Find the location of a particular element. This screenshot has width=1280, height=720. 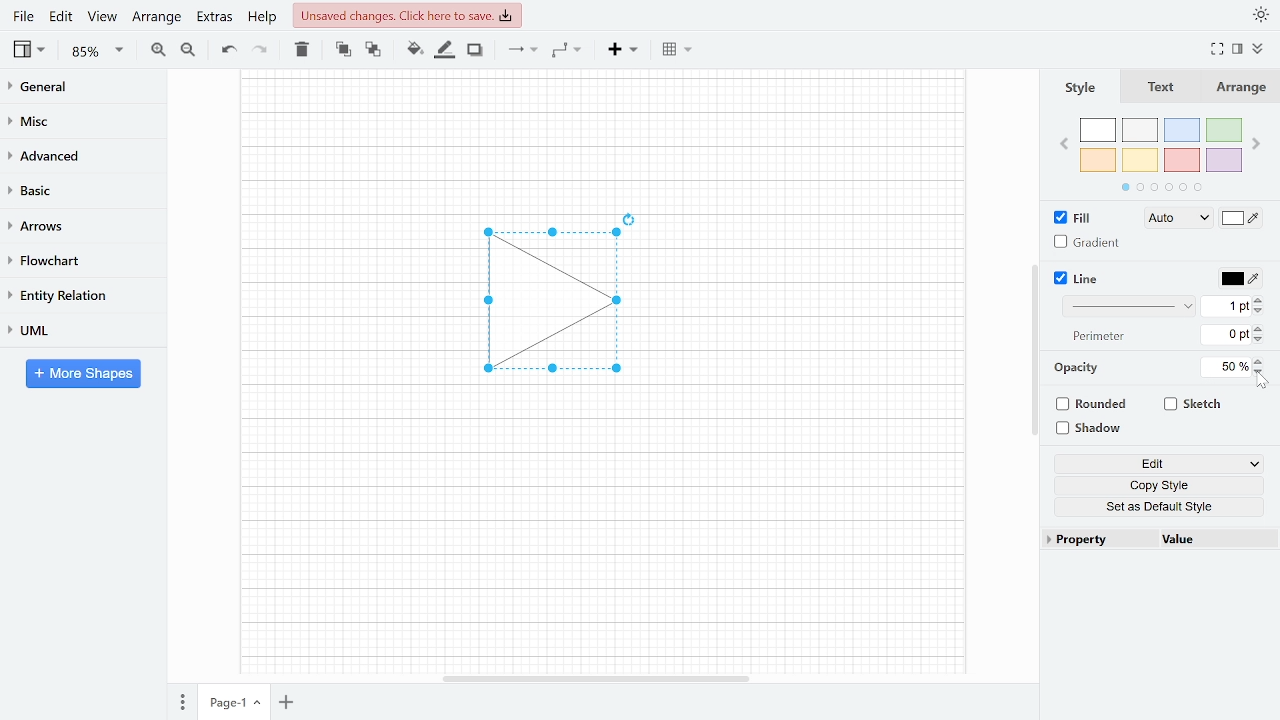

Current line width is located at coordinates (1227, 305).